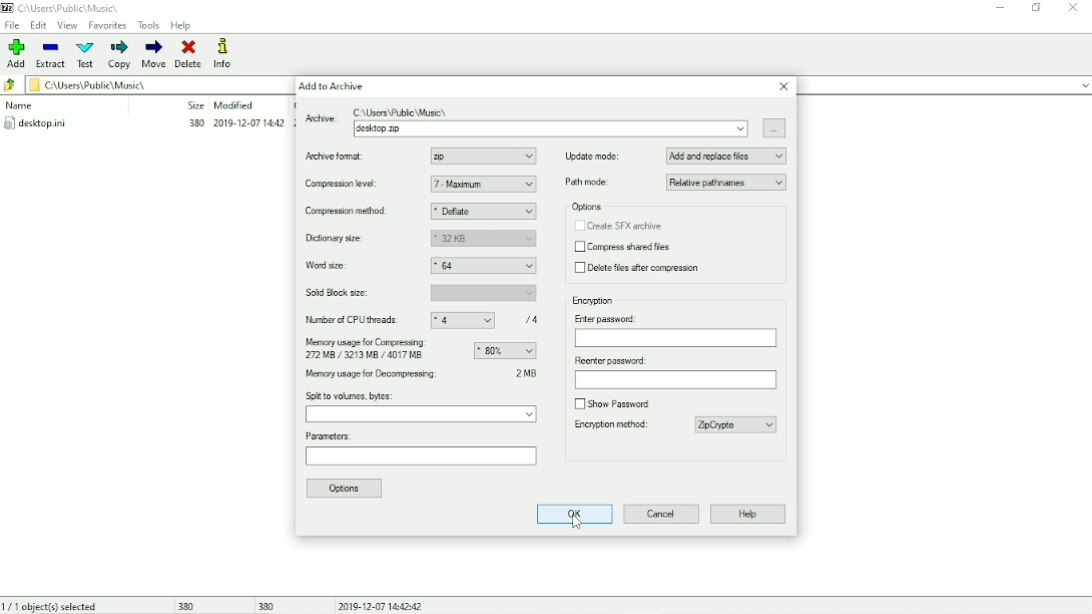 The image size is (1092, 614). What do you see at coordinates (420, 349) in the screenshot?
I see `Memory usage for compressing` at bounding box center [420, 349].